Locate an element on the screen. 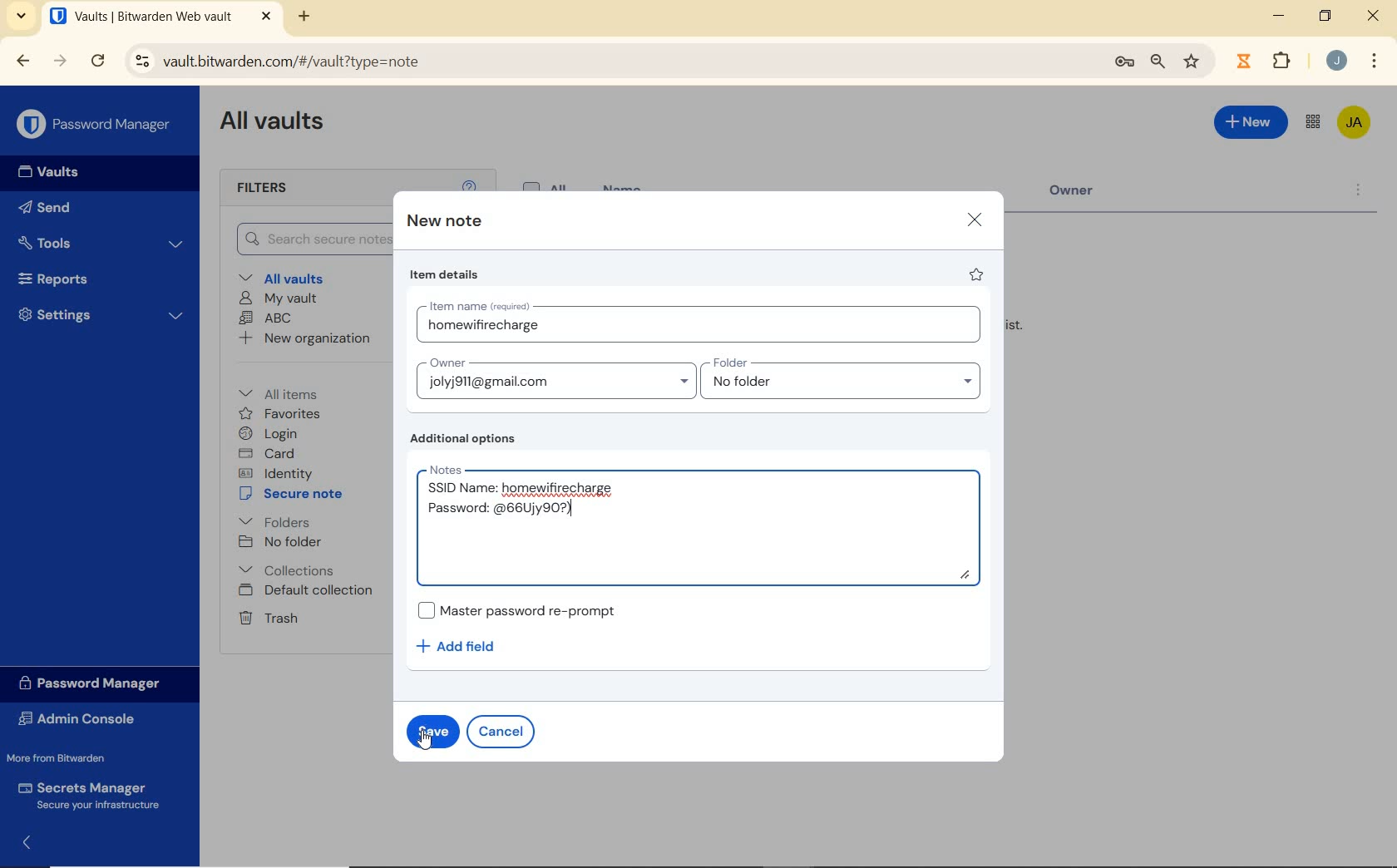  New is located at coordinates (1251, 126).